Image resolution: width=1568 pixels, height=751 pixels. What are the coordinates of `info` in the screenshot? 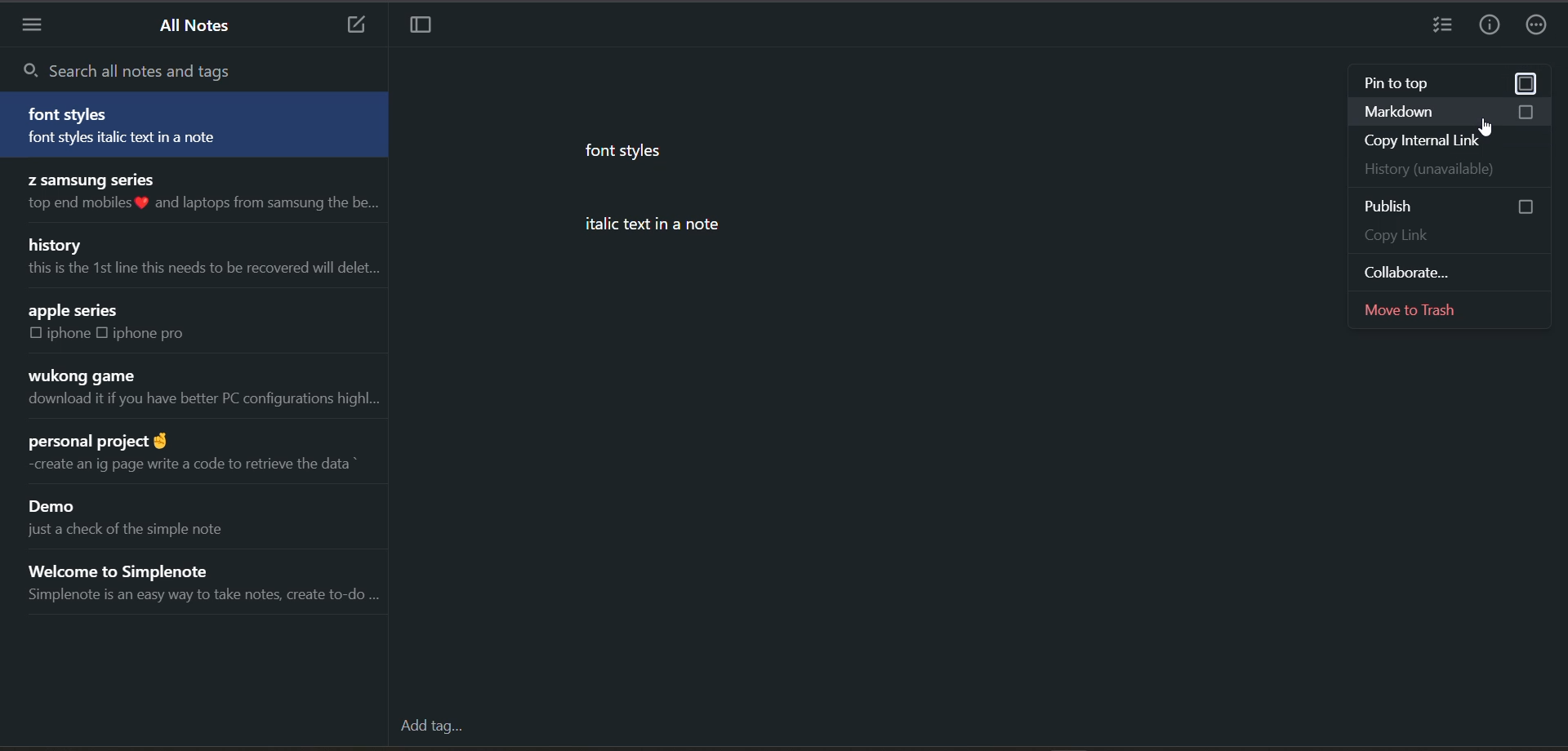 It's located at (1493, 23).